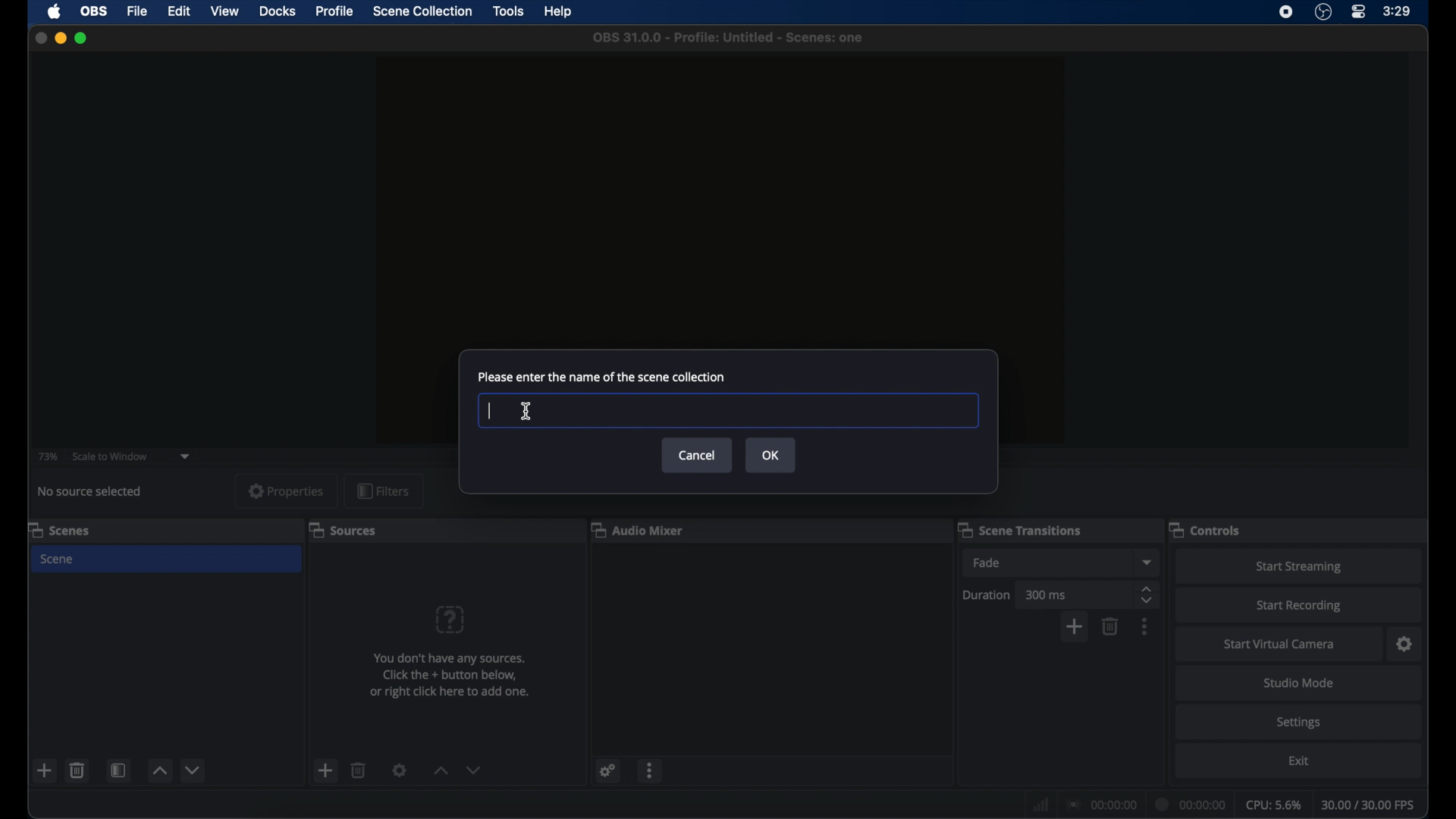  I want to click on sources, so click(342, 529).